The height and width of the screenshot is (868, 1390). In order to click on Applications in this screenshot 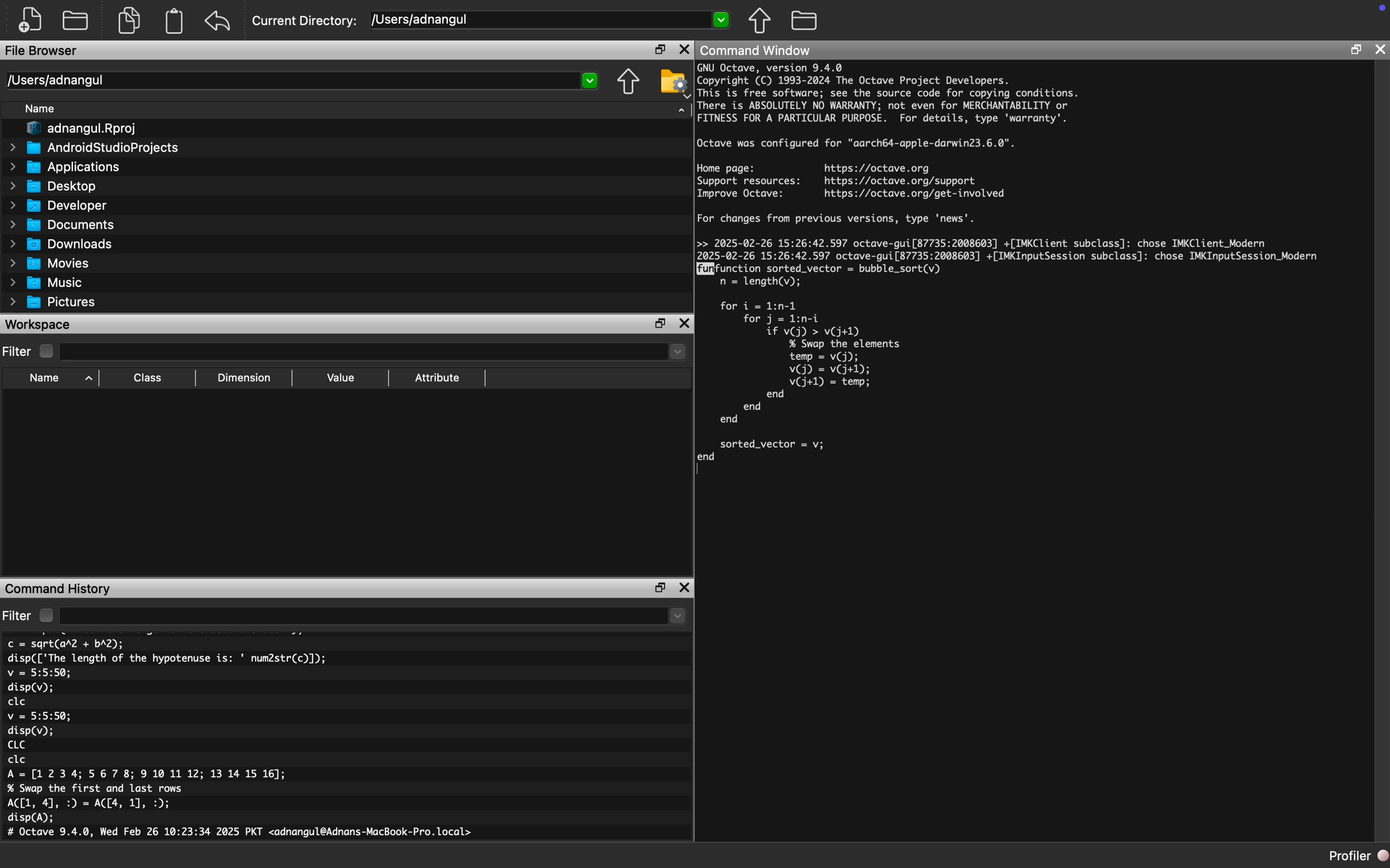, I will do `click(63, 168)`.